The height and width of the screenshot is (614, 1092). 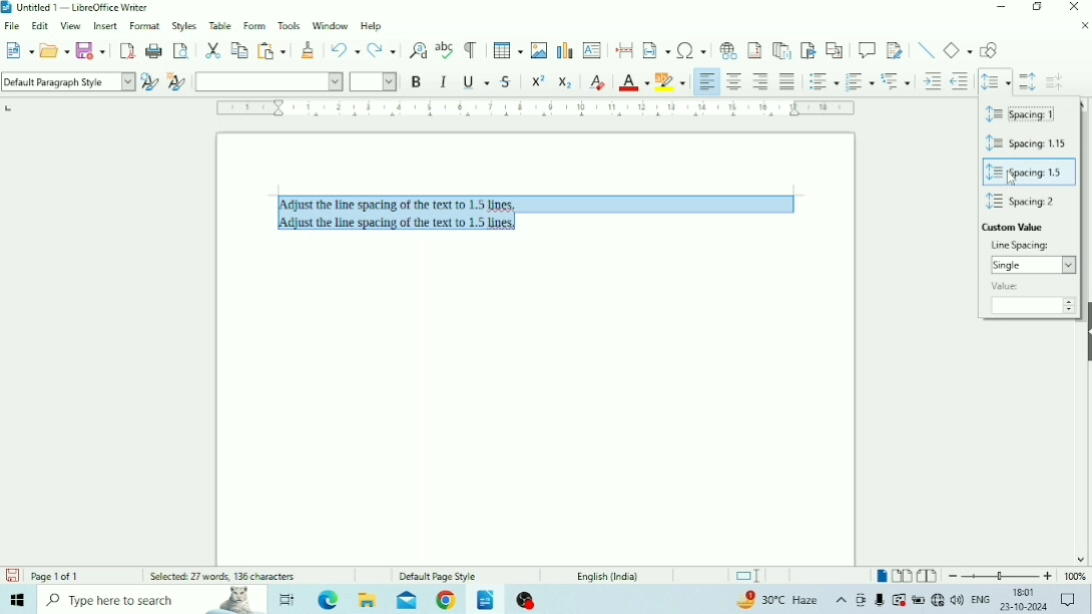 What do you see at coordinates (475, 81) in the screenshot?
I see `Underline` at bounding box center [475, 81].